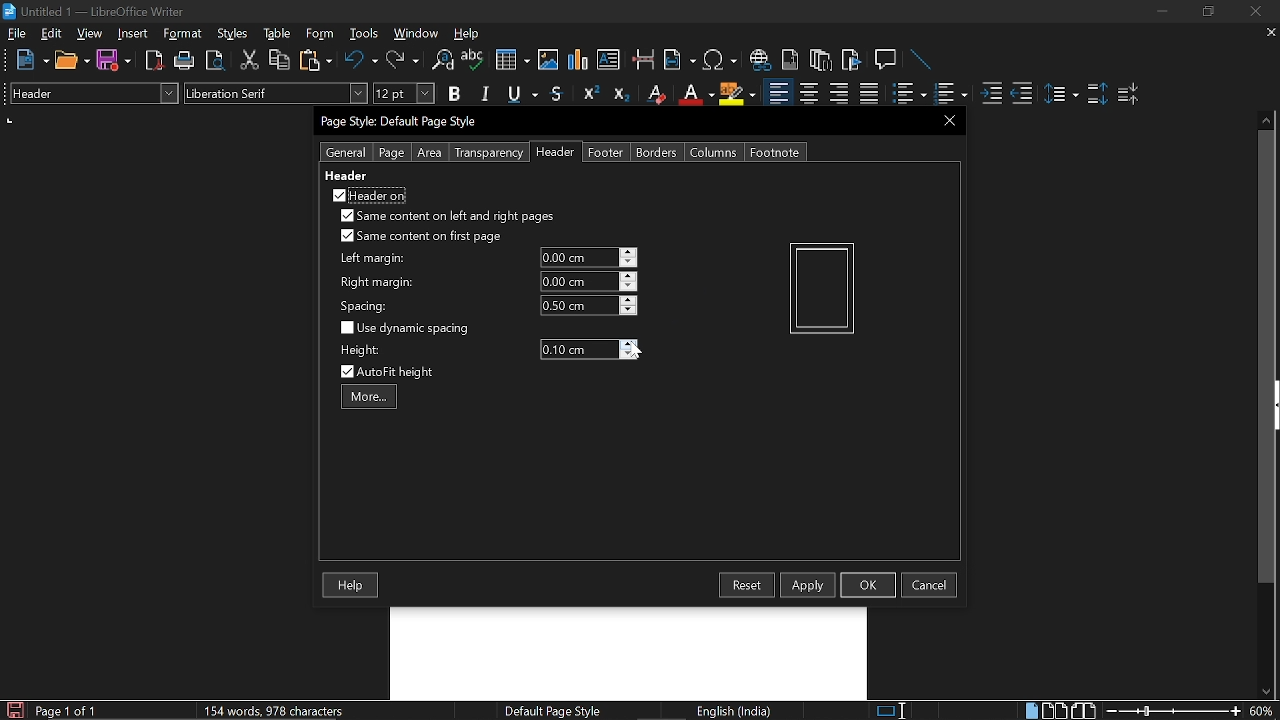  Describe the element at coordinates (114, 61) in the screenshot. I see `Save` at that location.